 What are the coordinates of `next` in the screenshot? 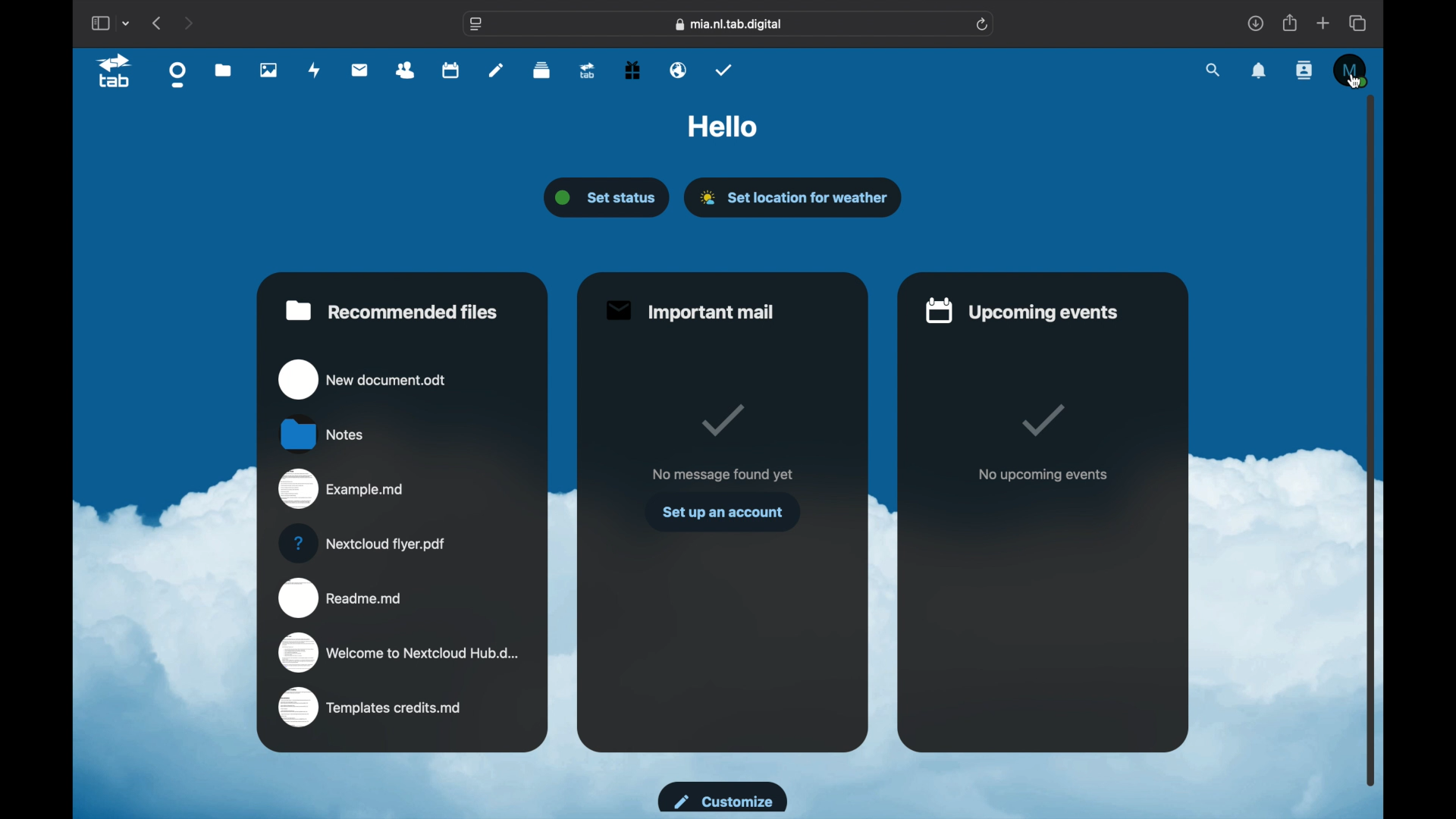 It's located at (188, 23).